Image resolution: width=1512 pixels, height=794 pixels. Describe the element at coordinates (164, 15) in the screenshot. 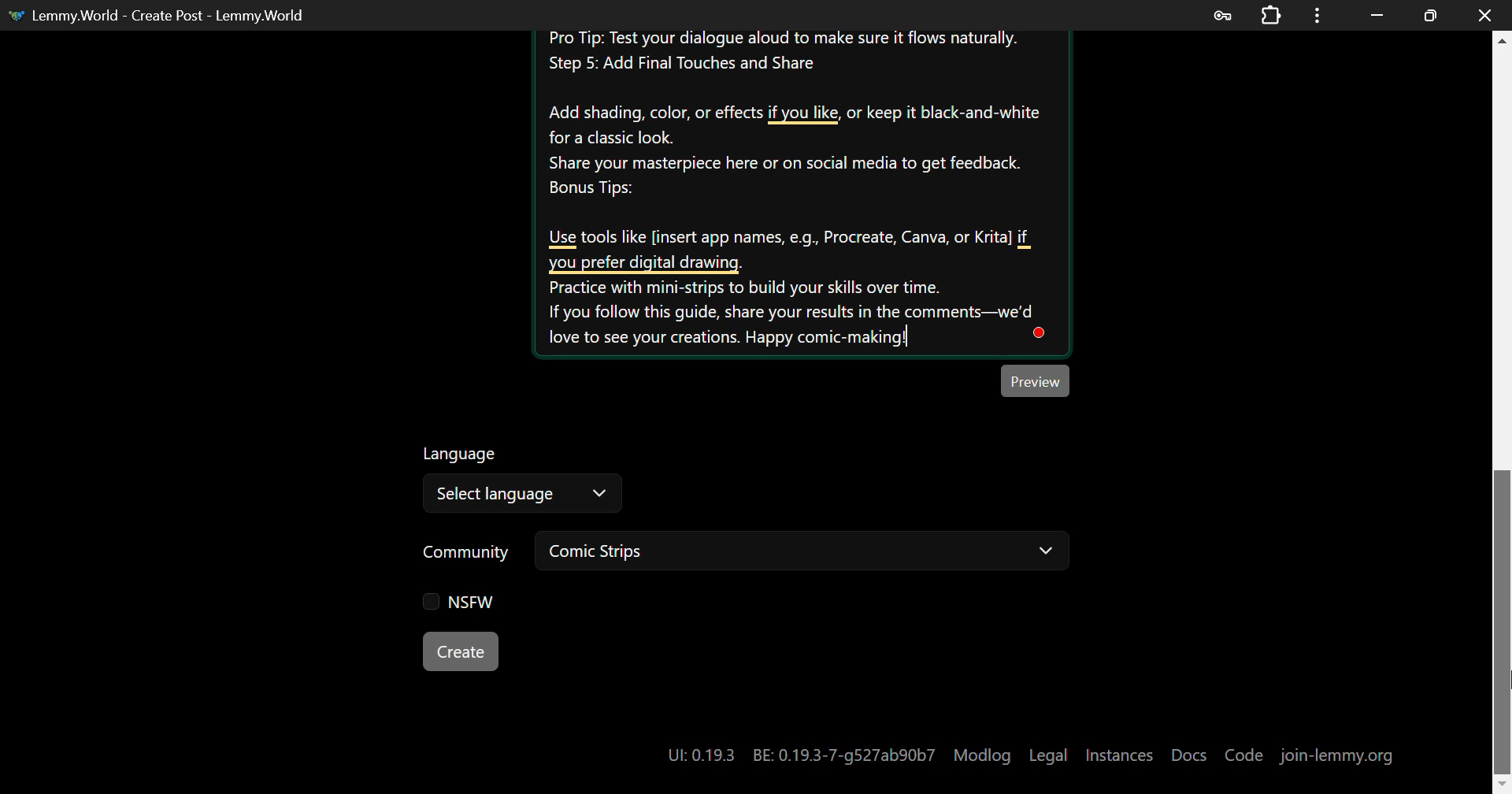

I see `Lemmy.World - Create Post - Lemmy.World` at that location.